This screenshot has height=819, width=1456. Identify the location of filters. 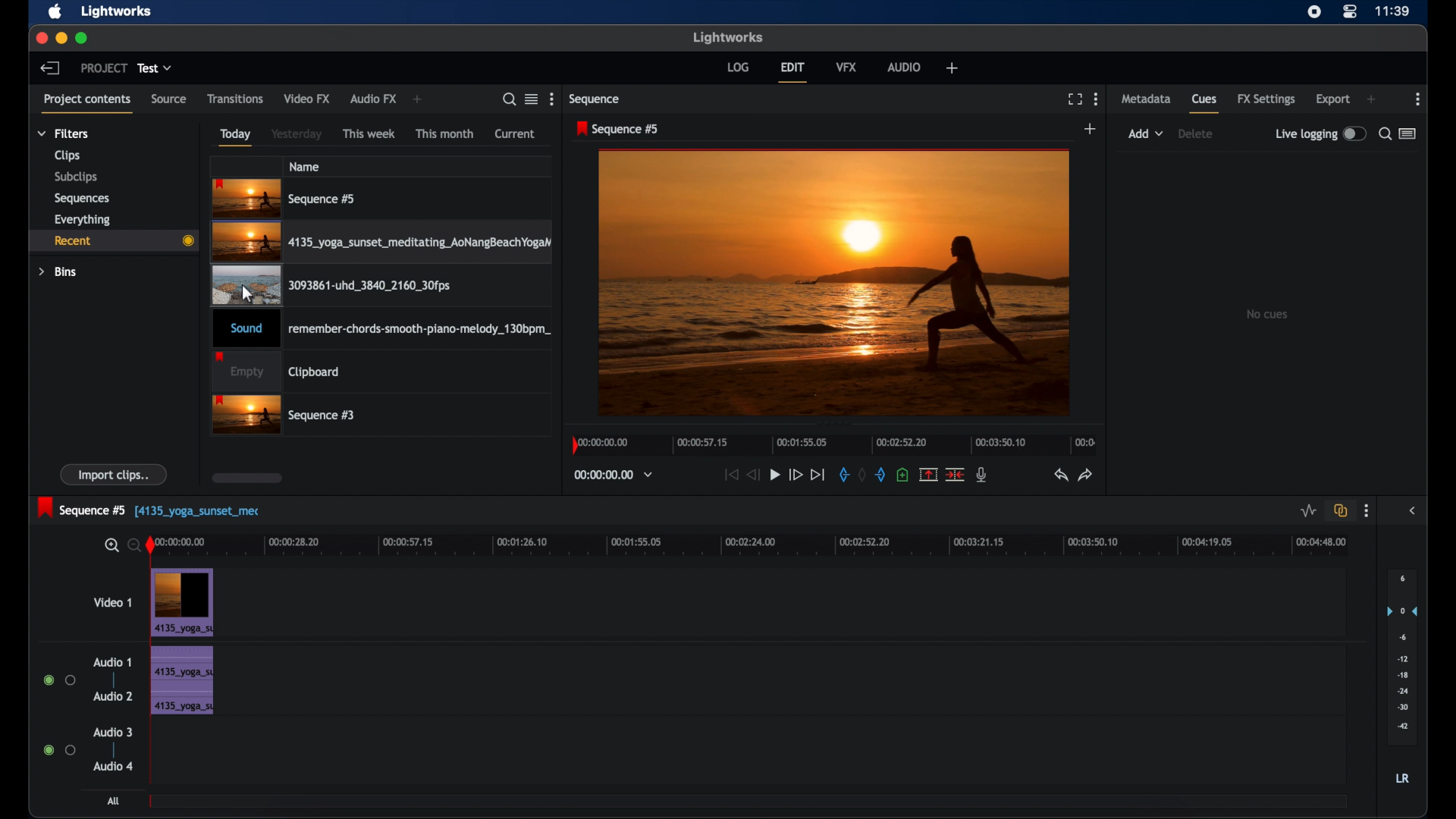
(64, 133).